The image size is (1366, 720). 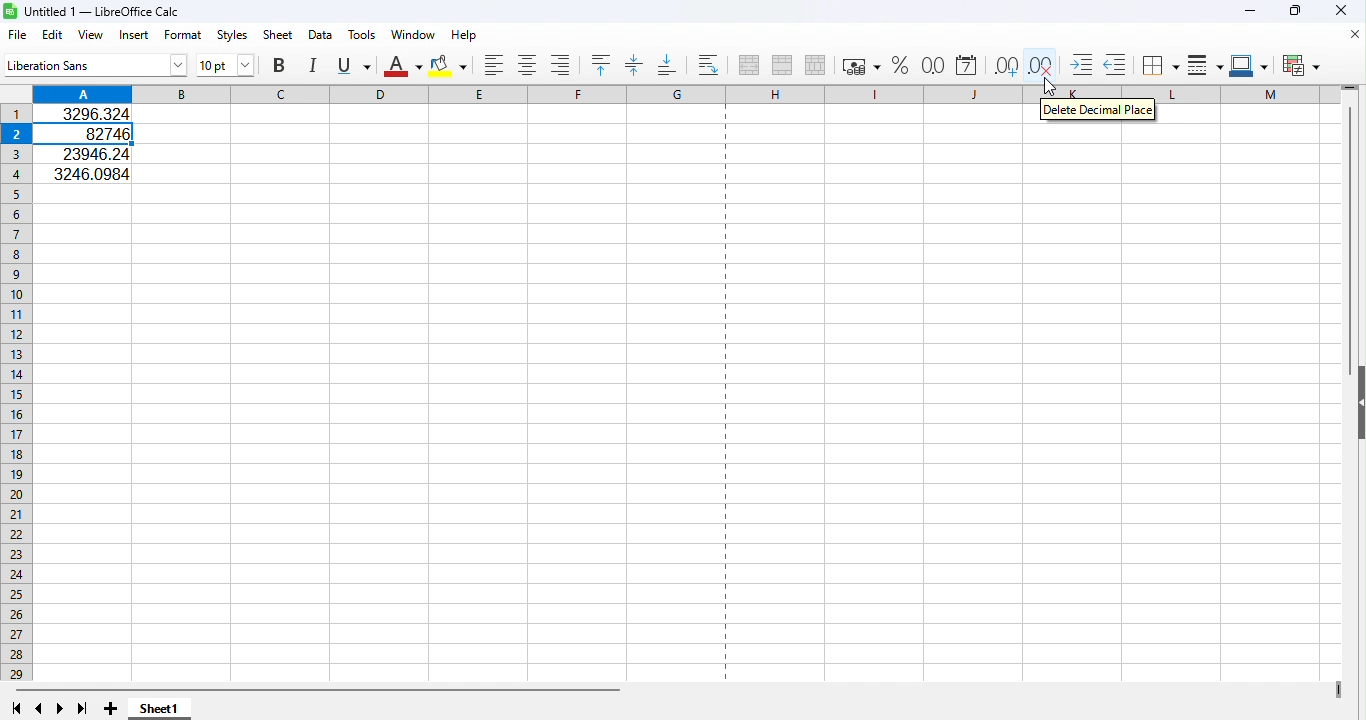 I want to click on Font size - 10pt, so click(x=228, y=67).